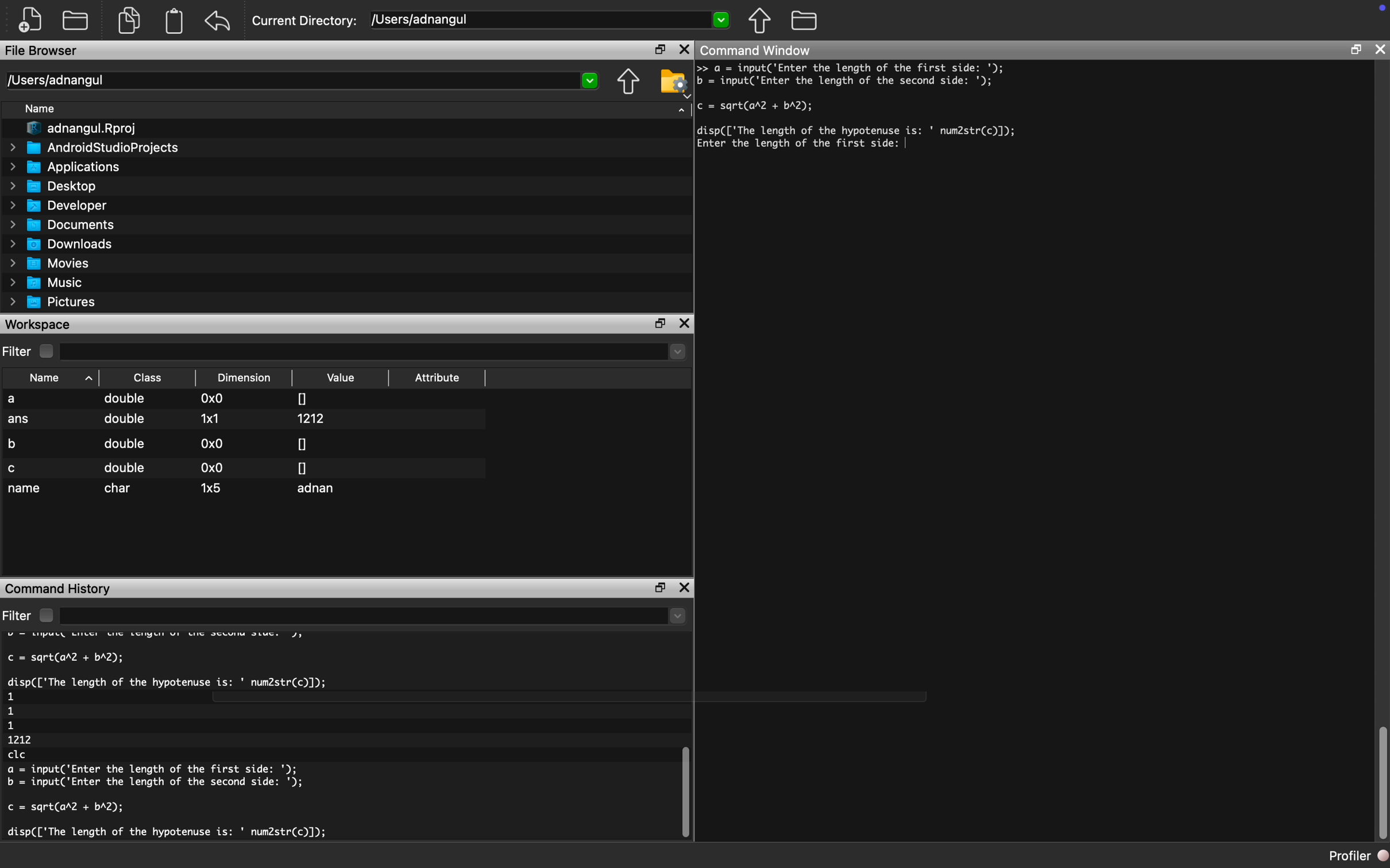 Image resolution: width=1390 pixels, height=868 pixels. I want to click on document clipboard, so click(172, 22).